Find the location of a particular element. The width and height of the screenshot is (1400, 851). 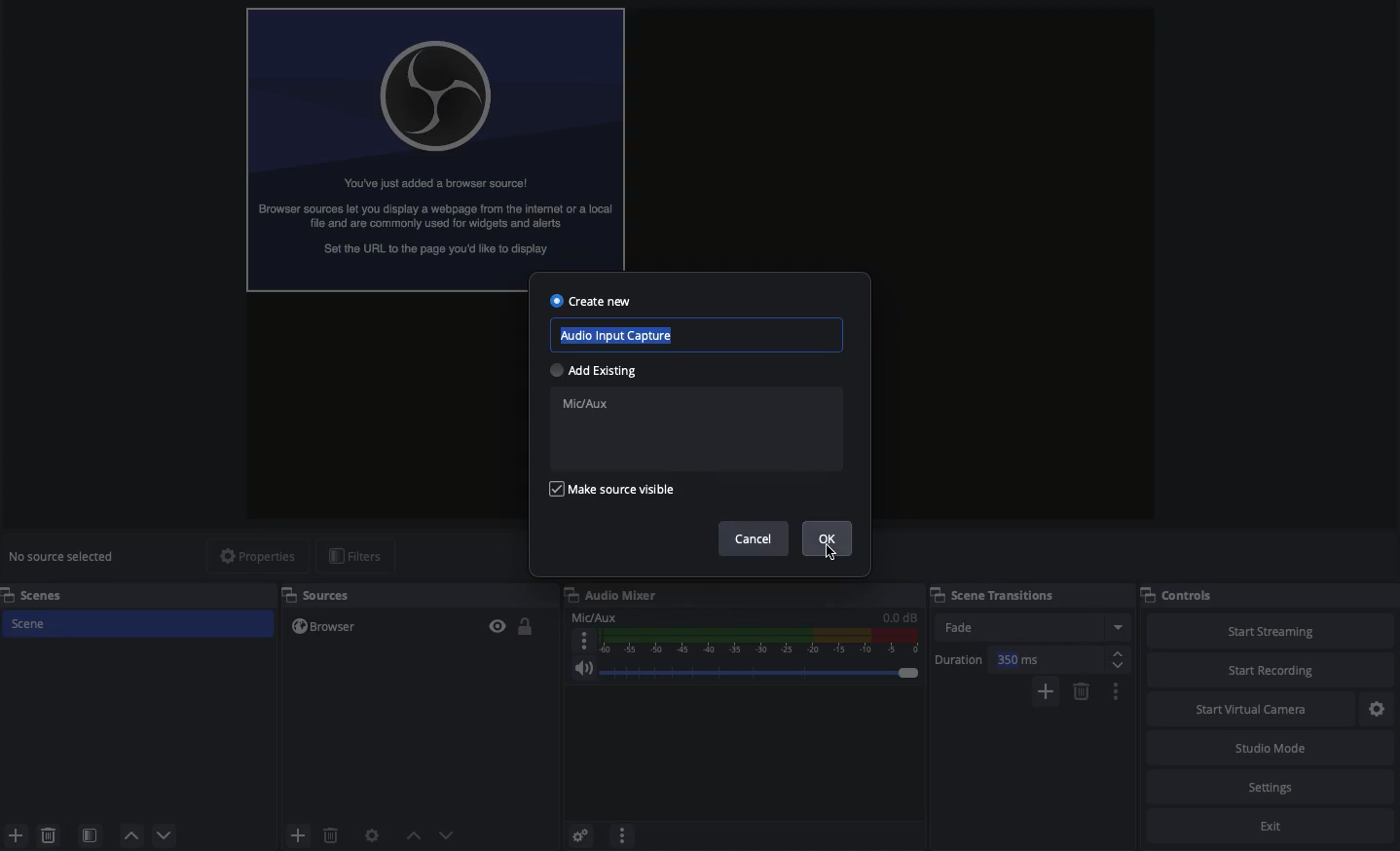

Cancel is located at coordinates (753, 538).